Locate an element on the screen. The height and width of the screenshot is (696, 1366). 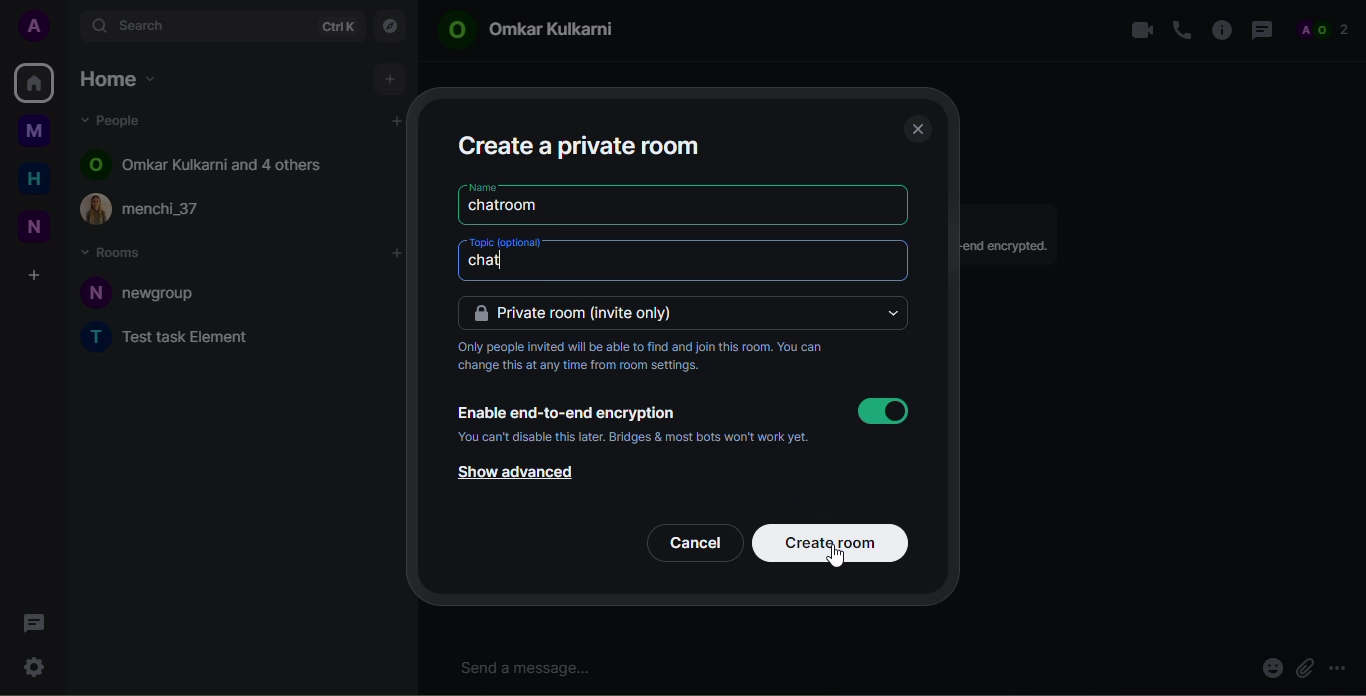
more is located at coordinates (1341, 664).